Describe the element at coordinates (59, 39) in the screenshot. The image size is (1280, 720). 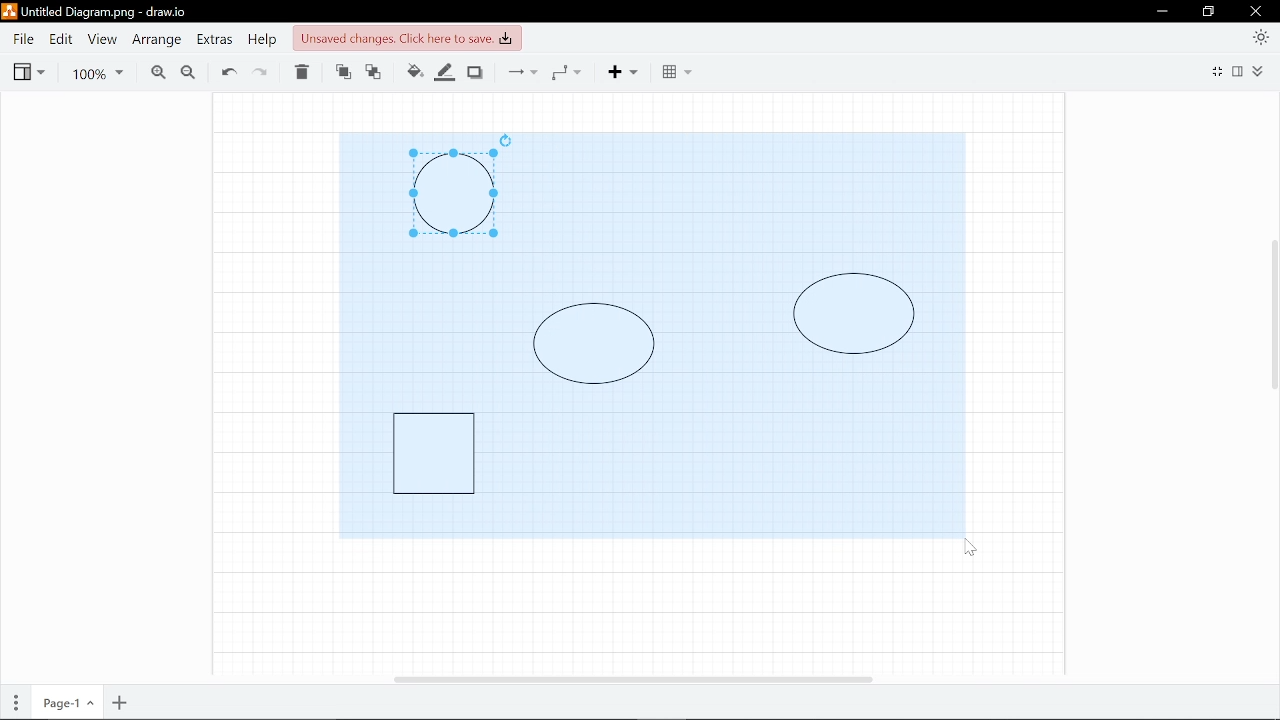
I see `Edit` at that location.